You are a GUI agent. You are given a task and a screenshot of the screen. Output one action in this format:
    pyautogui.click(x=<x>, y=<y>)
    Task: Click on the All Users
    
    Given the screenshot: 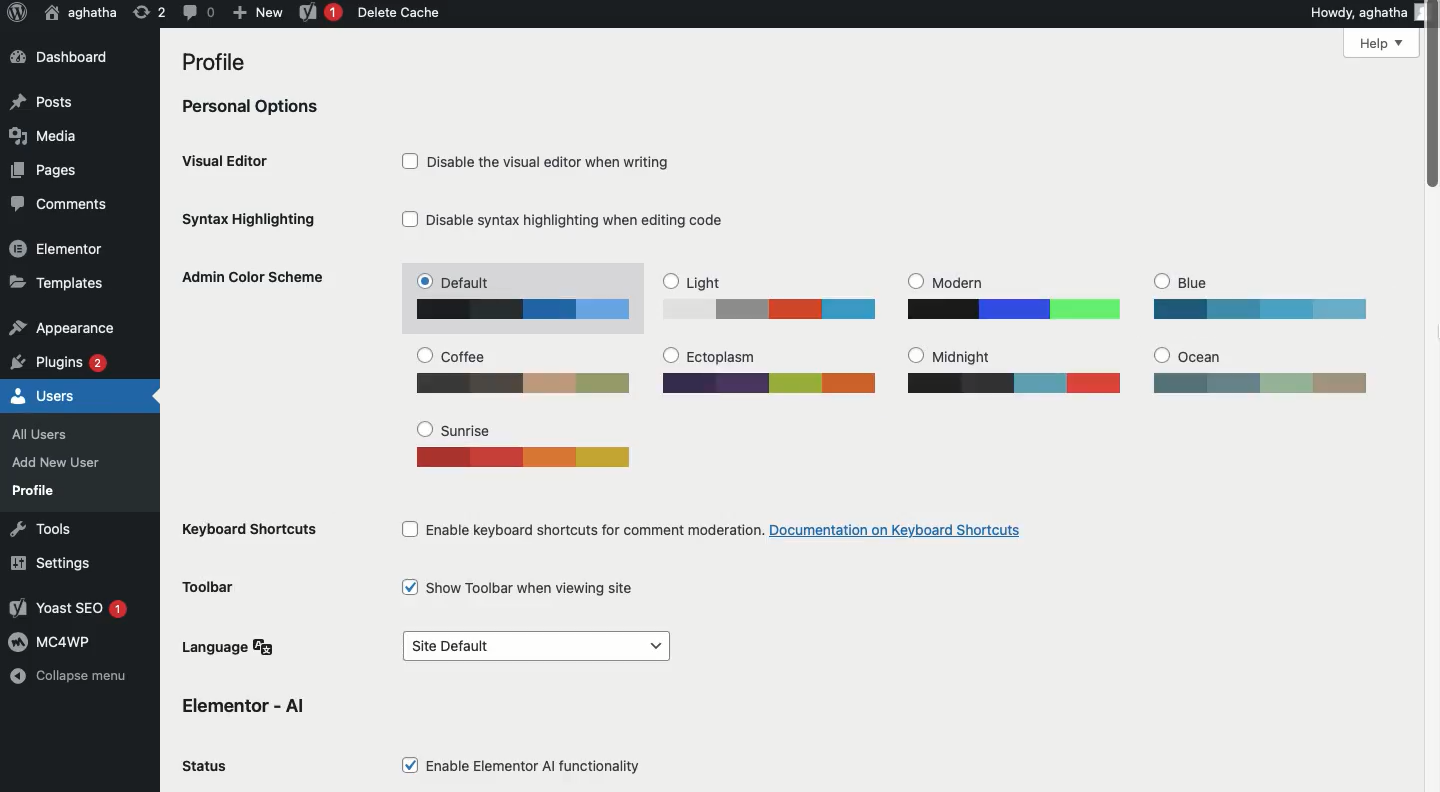 What is the action you would take?
    pyautogui.click(x=50, y=432)
    